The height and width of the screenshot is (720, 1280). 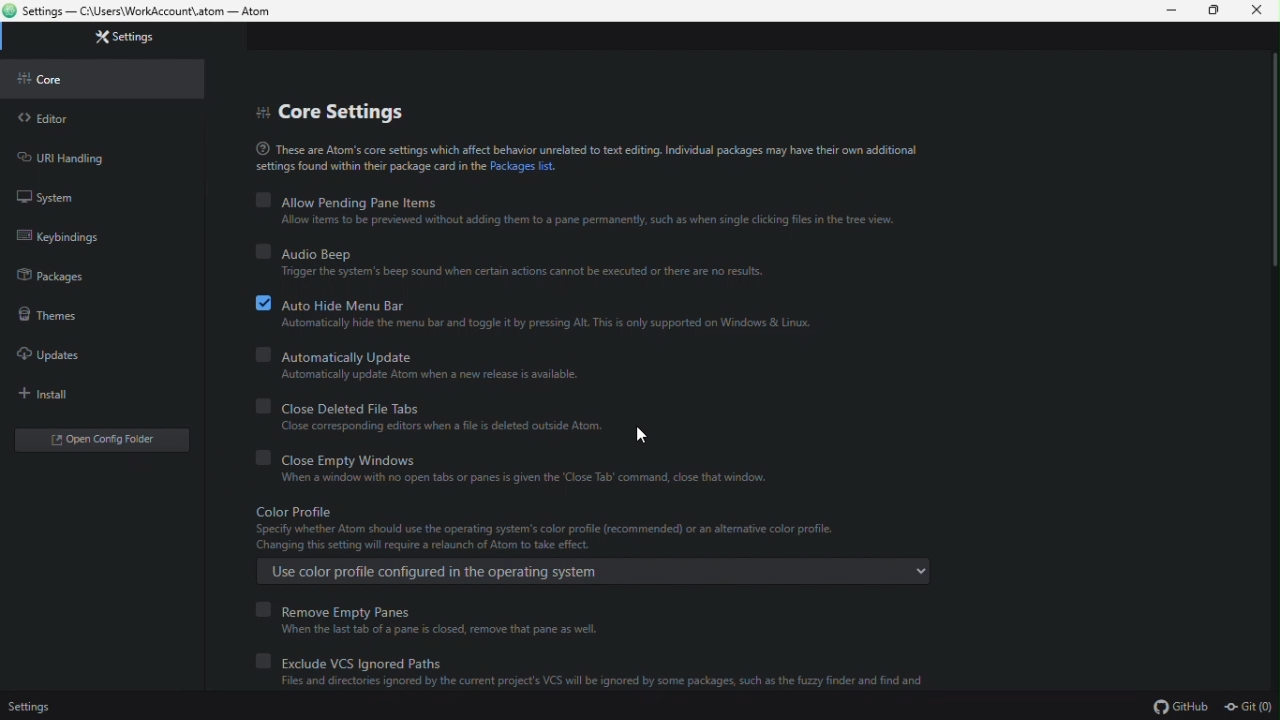 What do you see at coordinates (1172, 10) in the screenshot?
I see `Minimize` at bounding box center [1172, 10].